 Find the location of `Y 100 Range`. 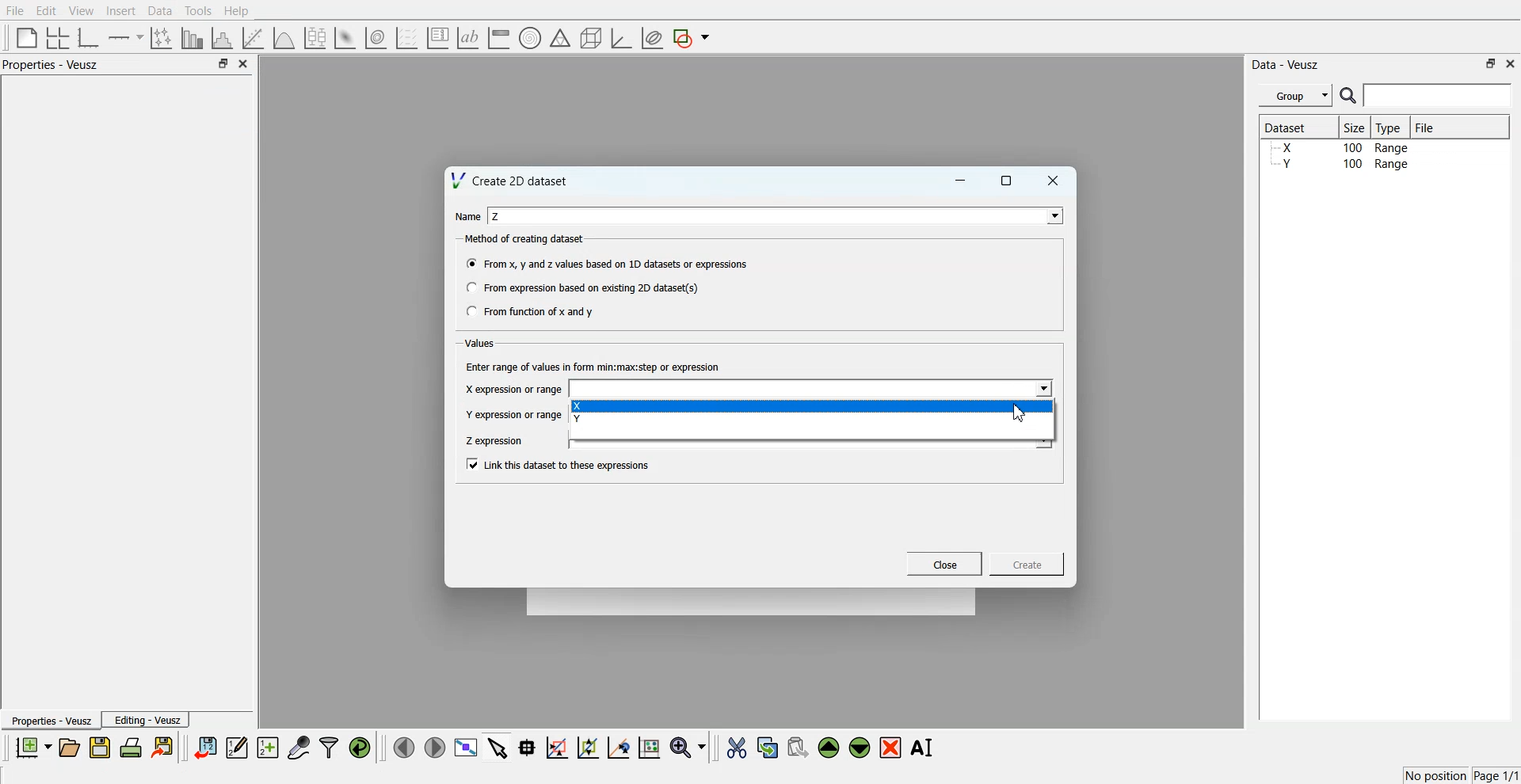

Y 100 Range is located at coordinates (1341, 164).